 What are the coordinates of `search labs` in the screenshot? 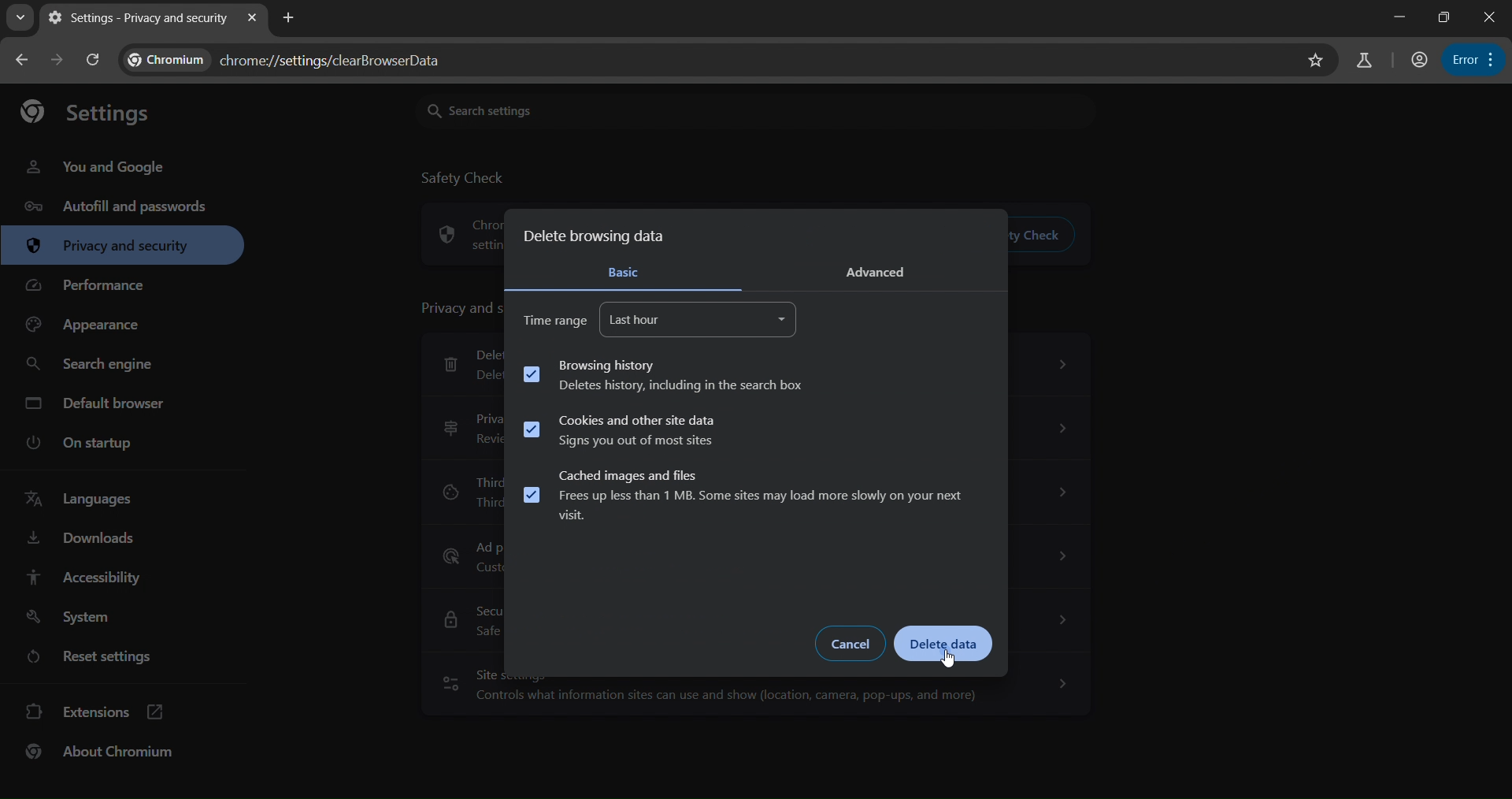 It's located at (1366, 61).